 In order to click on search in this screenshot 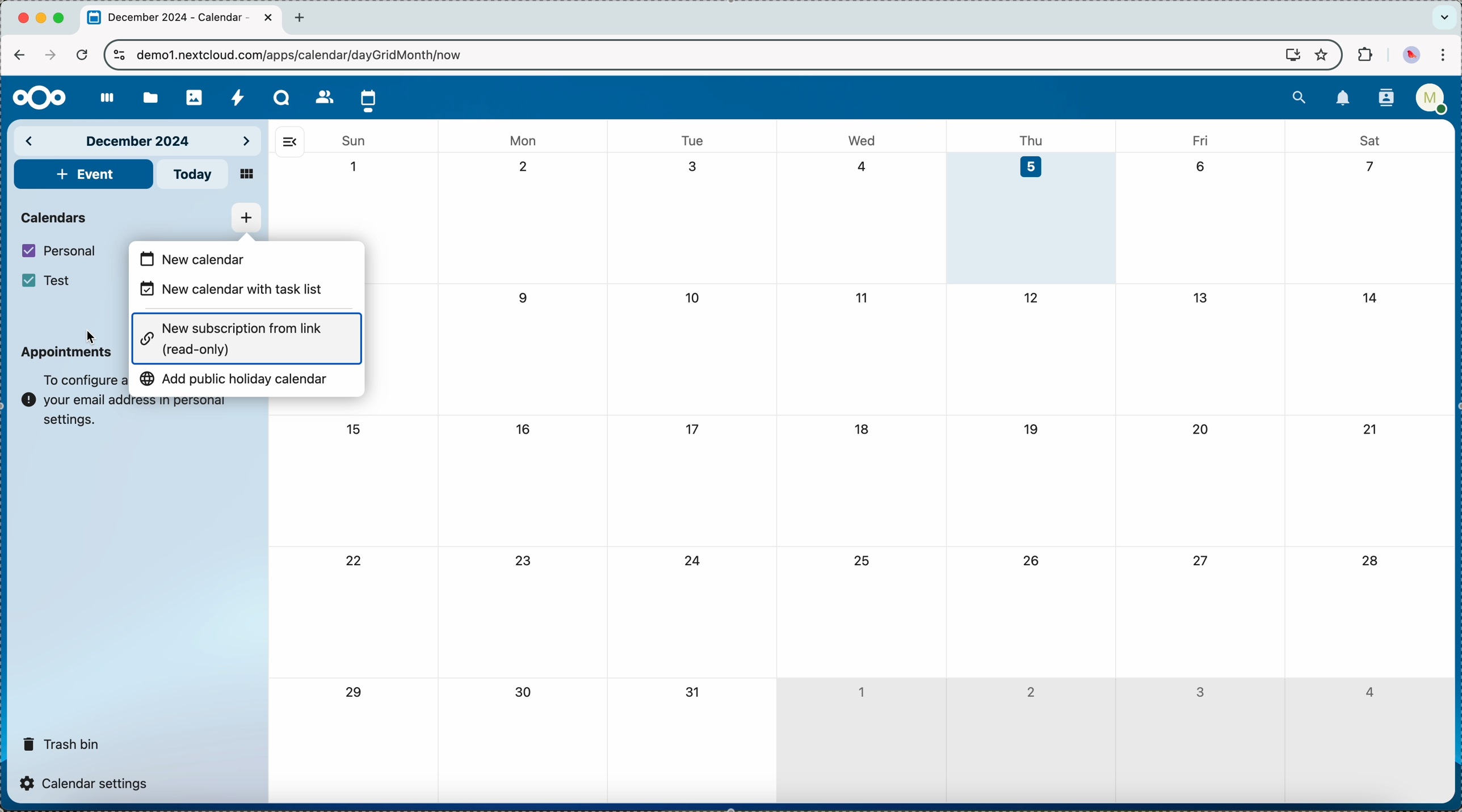, I will do `click(1299, 96)`.